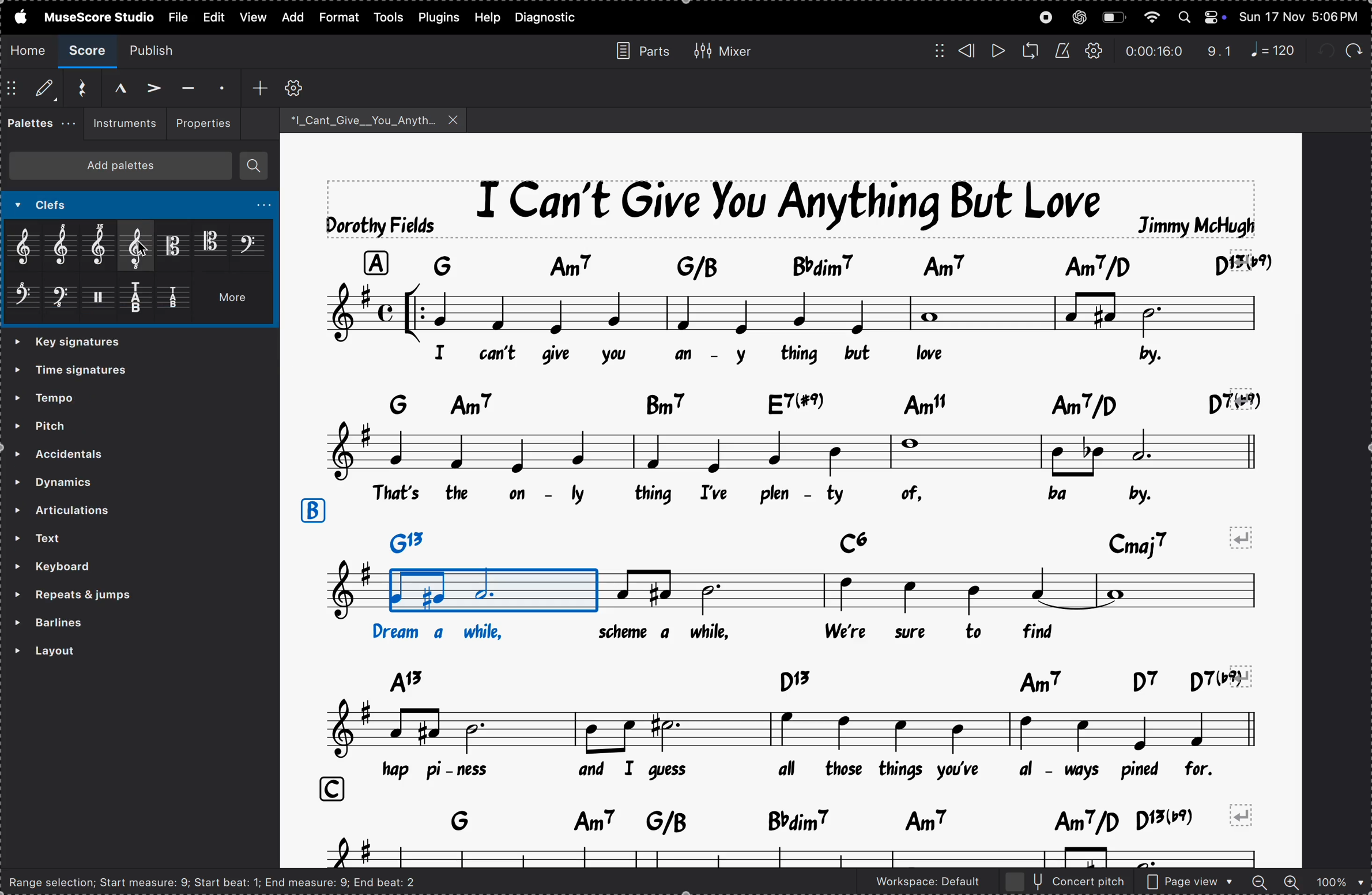 The image size is (1372, 895). I want to click on redo, so click(1352, 48).